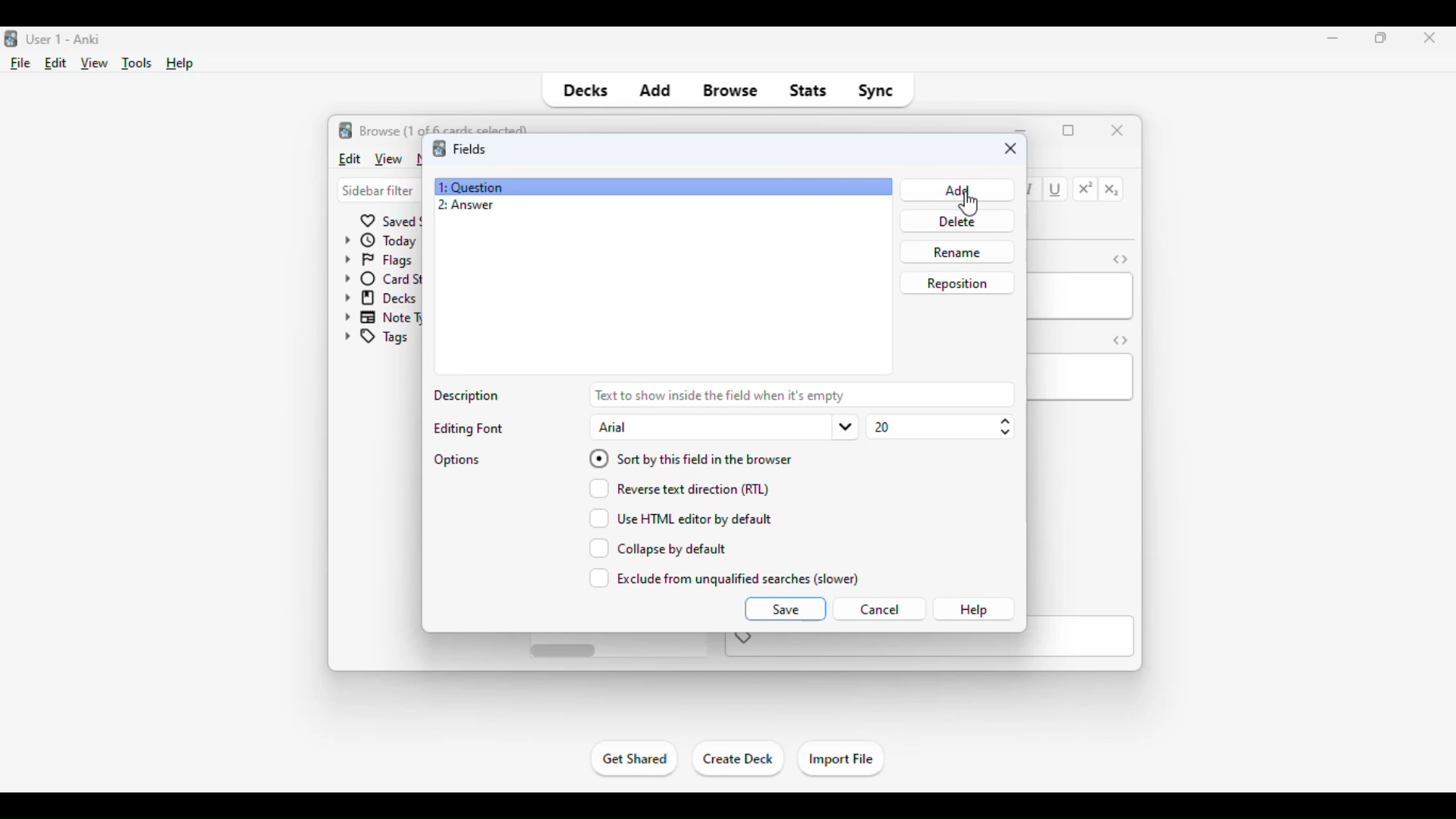  Describe the element at coordinates (879, 610) in the screenshot. I see `cancel` at that location.